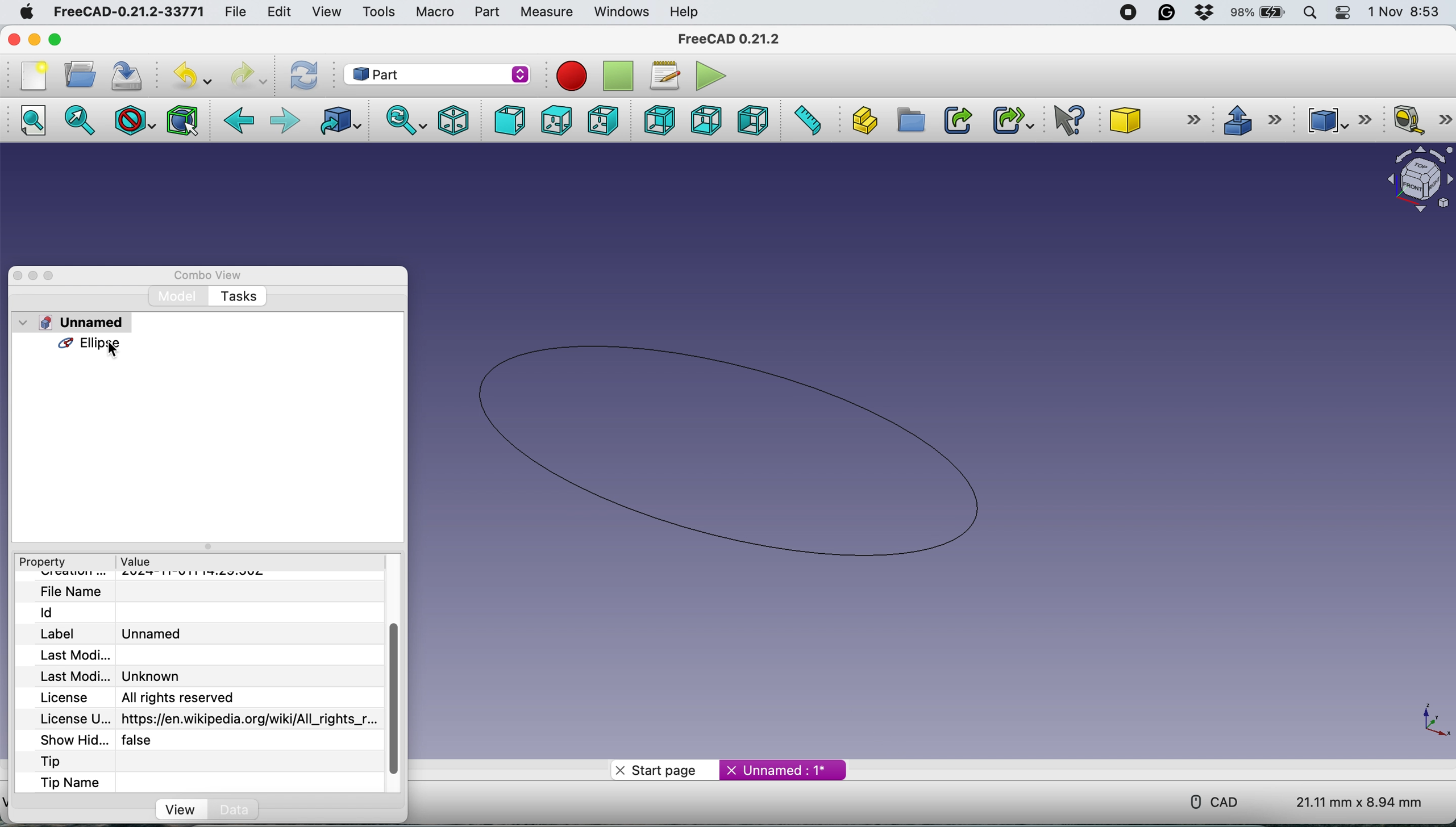  Describe the element at coordinates (621, 75) in the screenshot. I see `stop recording macros` at that location.